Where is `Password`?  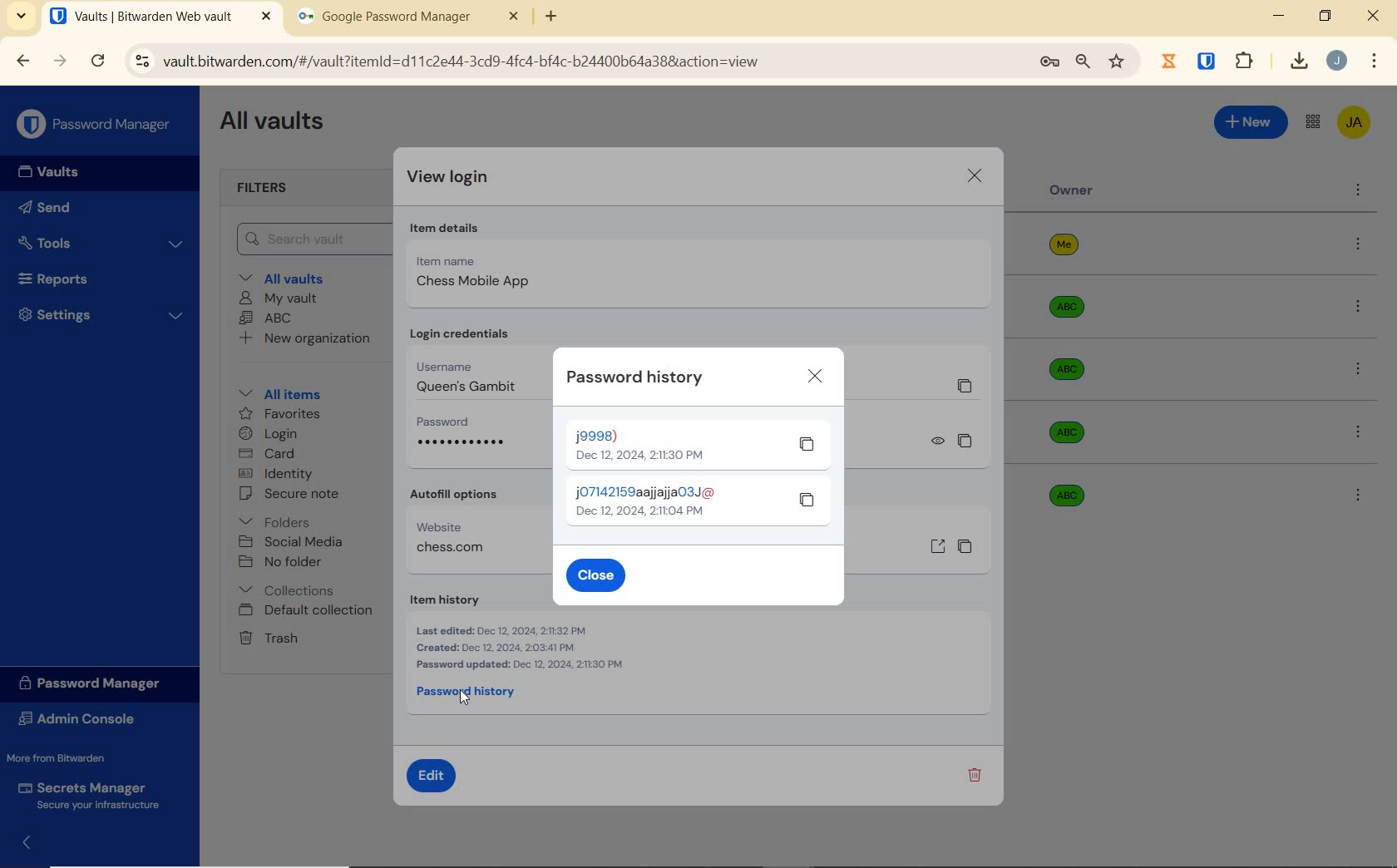 Password is located at coordinates (445, 422).